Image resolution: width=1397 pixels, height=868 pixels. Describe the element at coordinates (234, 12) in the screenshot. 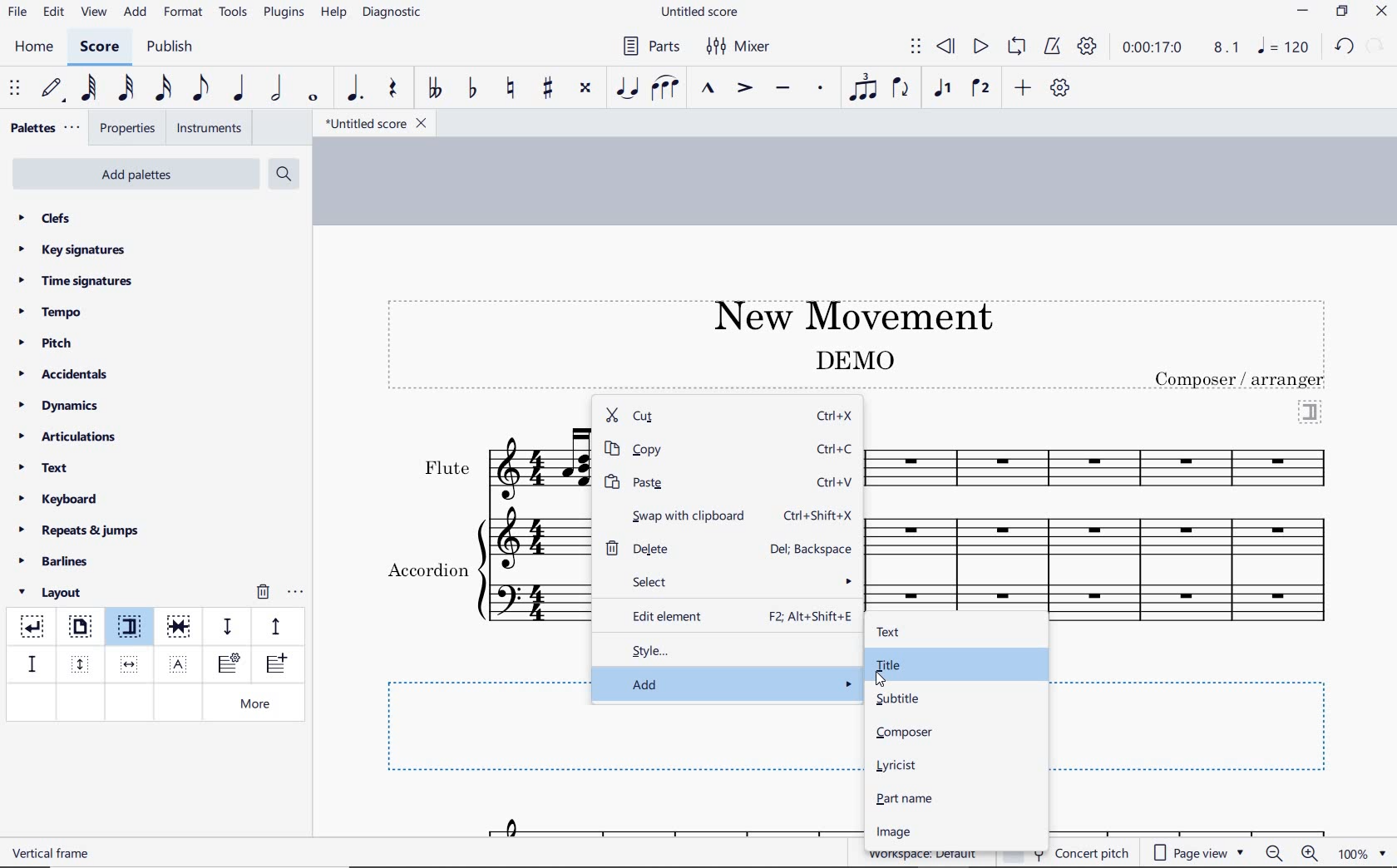

I see `tools` at that location.